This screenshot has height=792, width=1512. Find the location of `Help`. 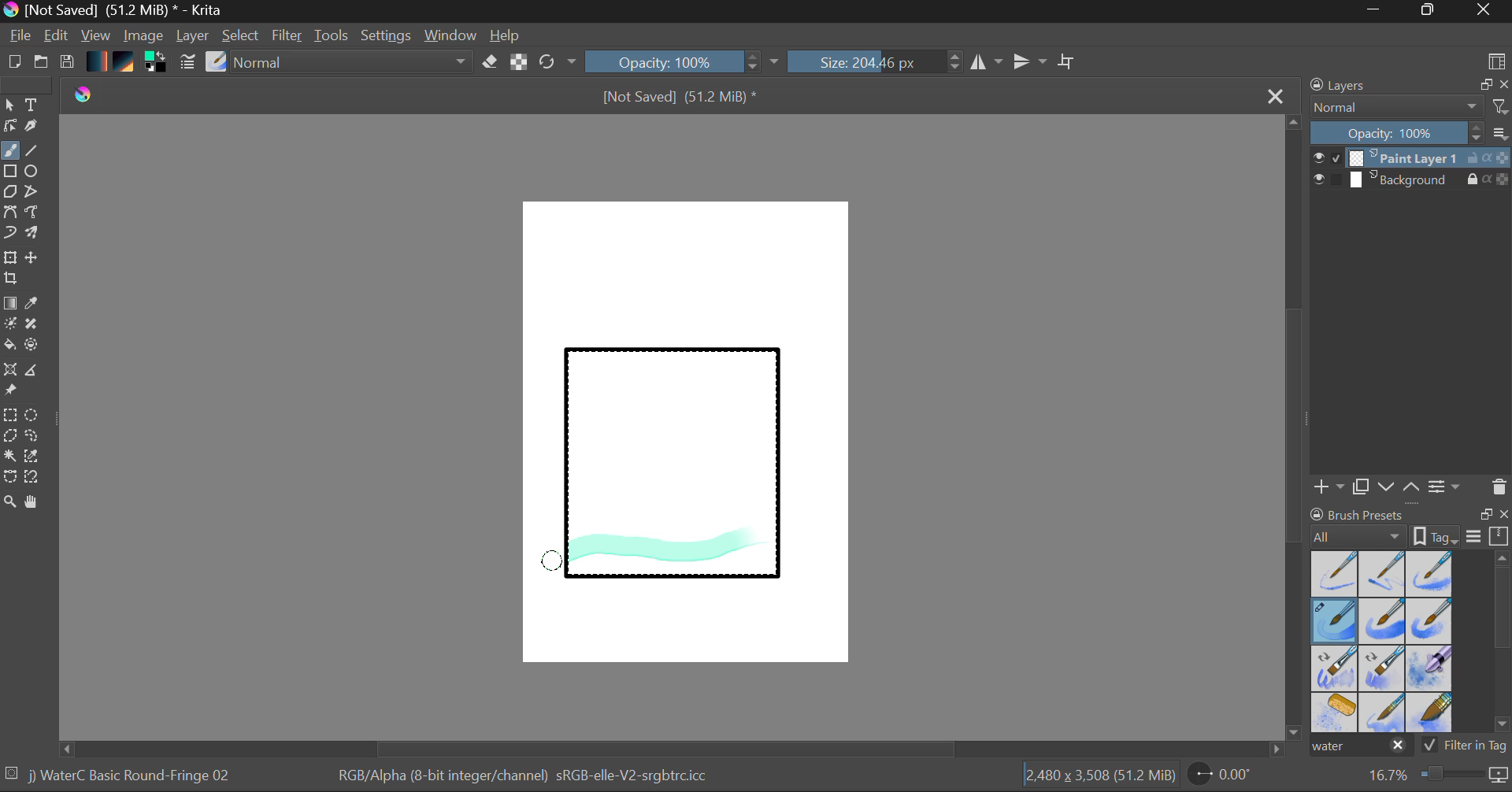

Help is located at coordinates (506, 35).